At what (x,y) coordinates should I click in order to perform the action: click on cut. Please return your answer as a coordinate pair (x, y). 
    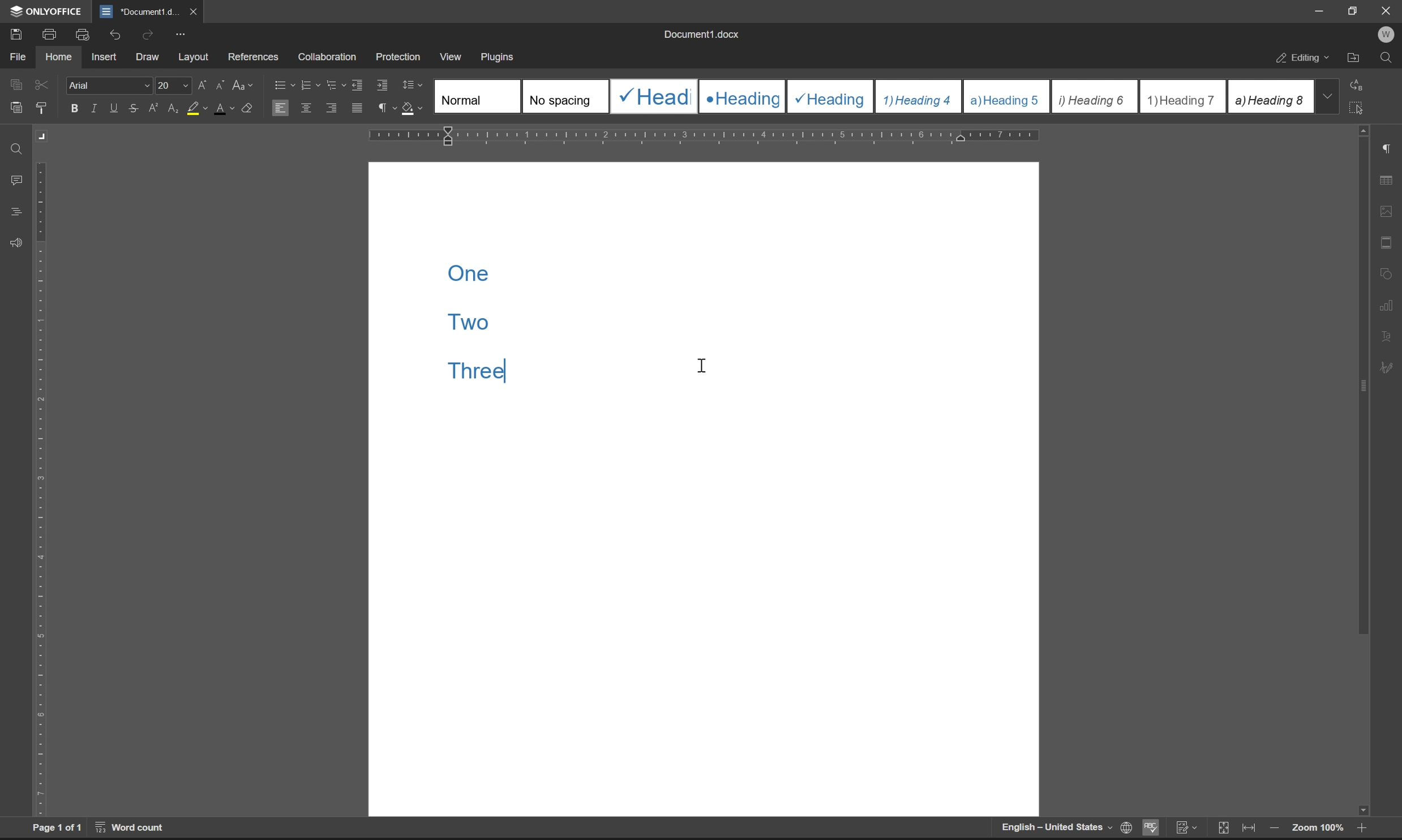
    Looking at the image, I should click on (43, 84).